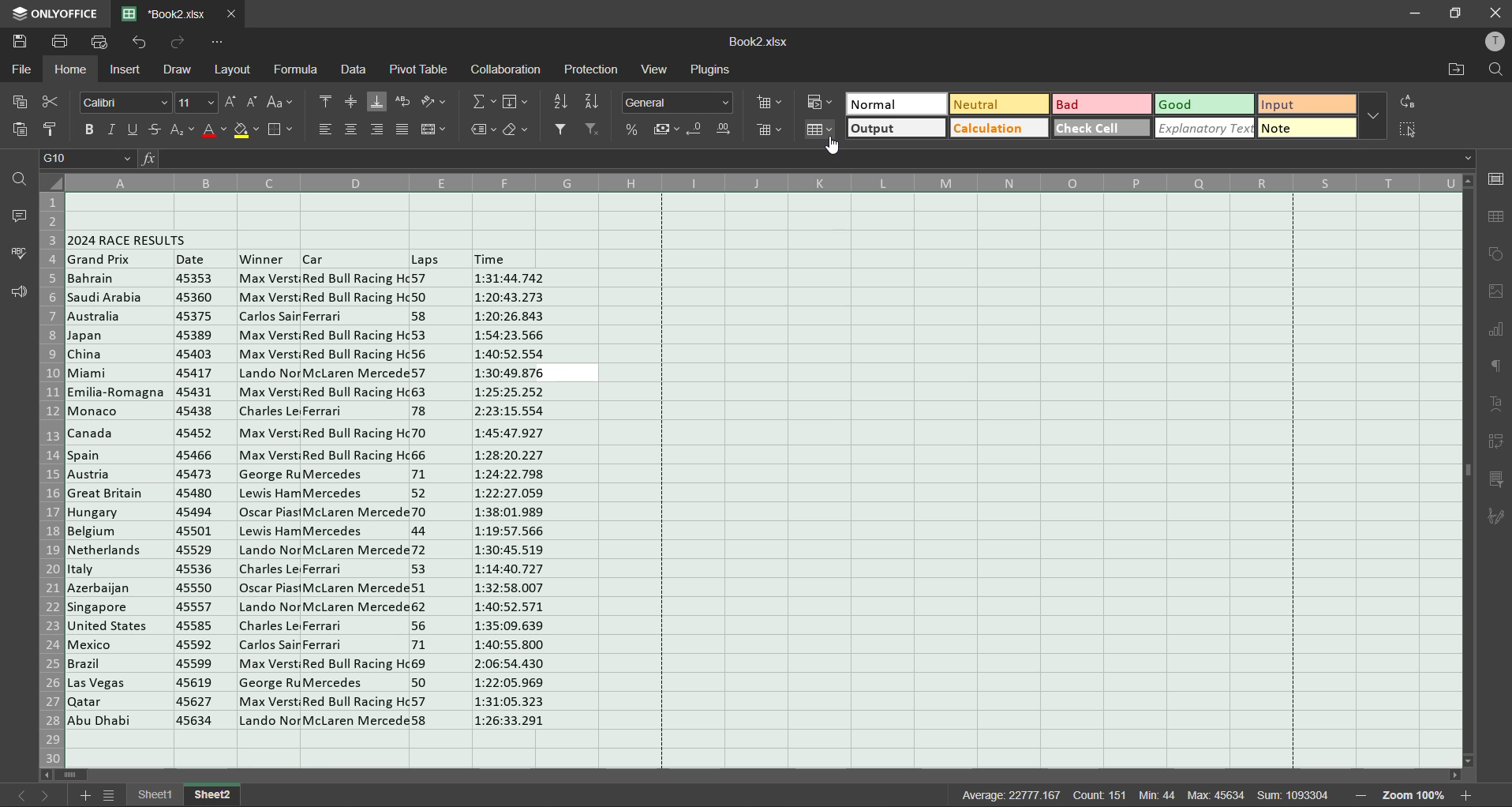  What do you see at coordinates (816, 160) in the screenshot?
I see `formula bar` at bounding box center [816, 160].